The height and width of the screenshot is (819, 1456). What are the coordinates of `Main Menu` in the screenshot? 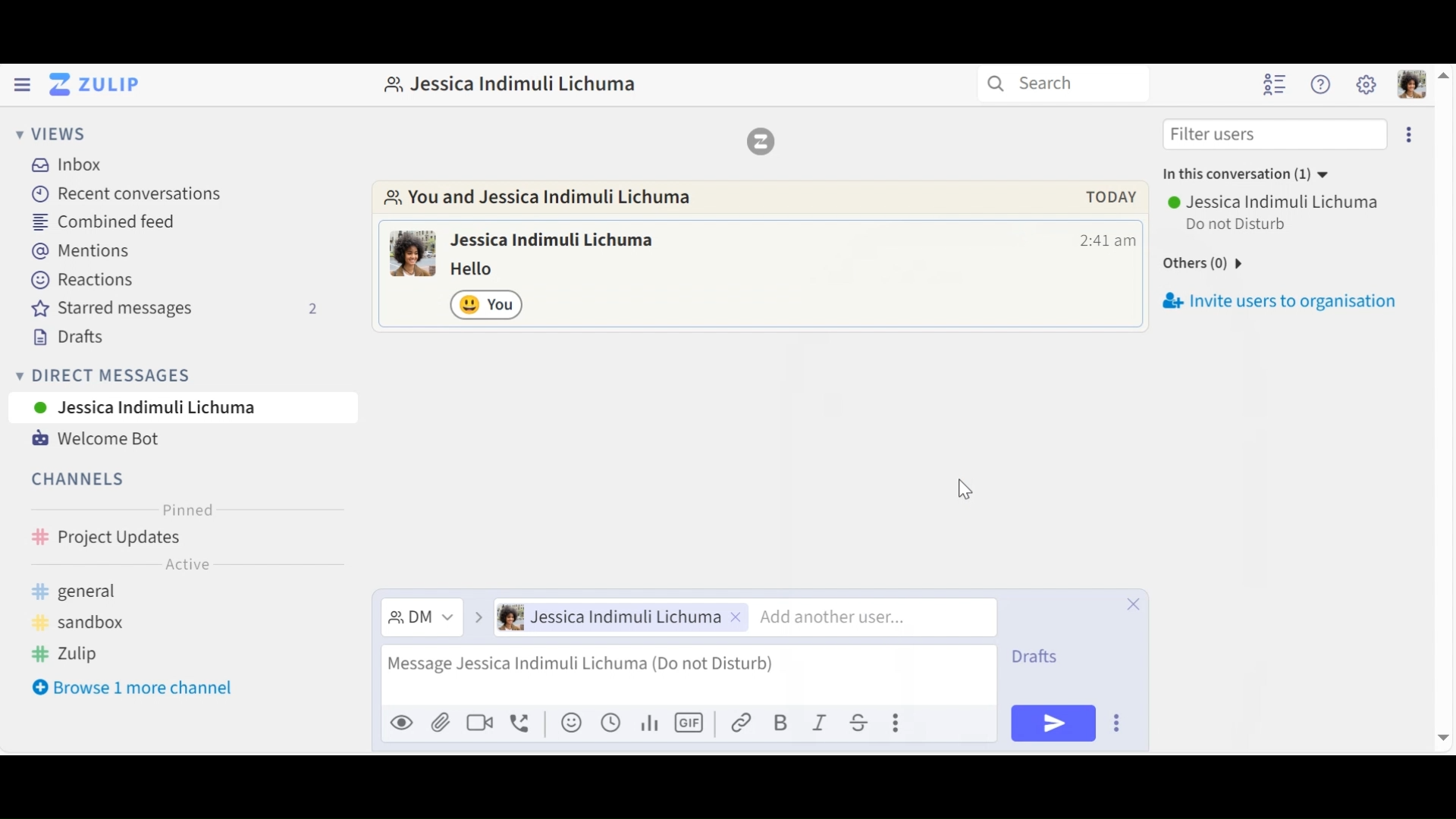 It's located at (1366, 84).